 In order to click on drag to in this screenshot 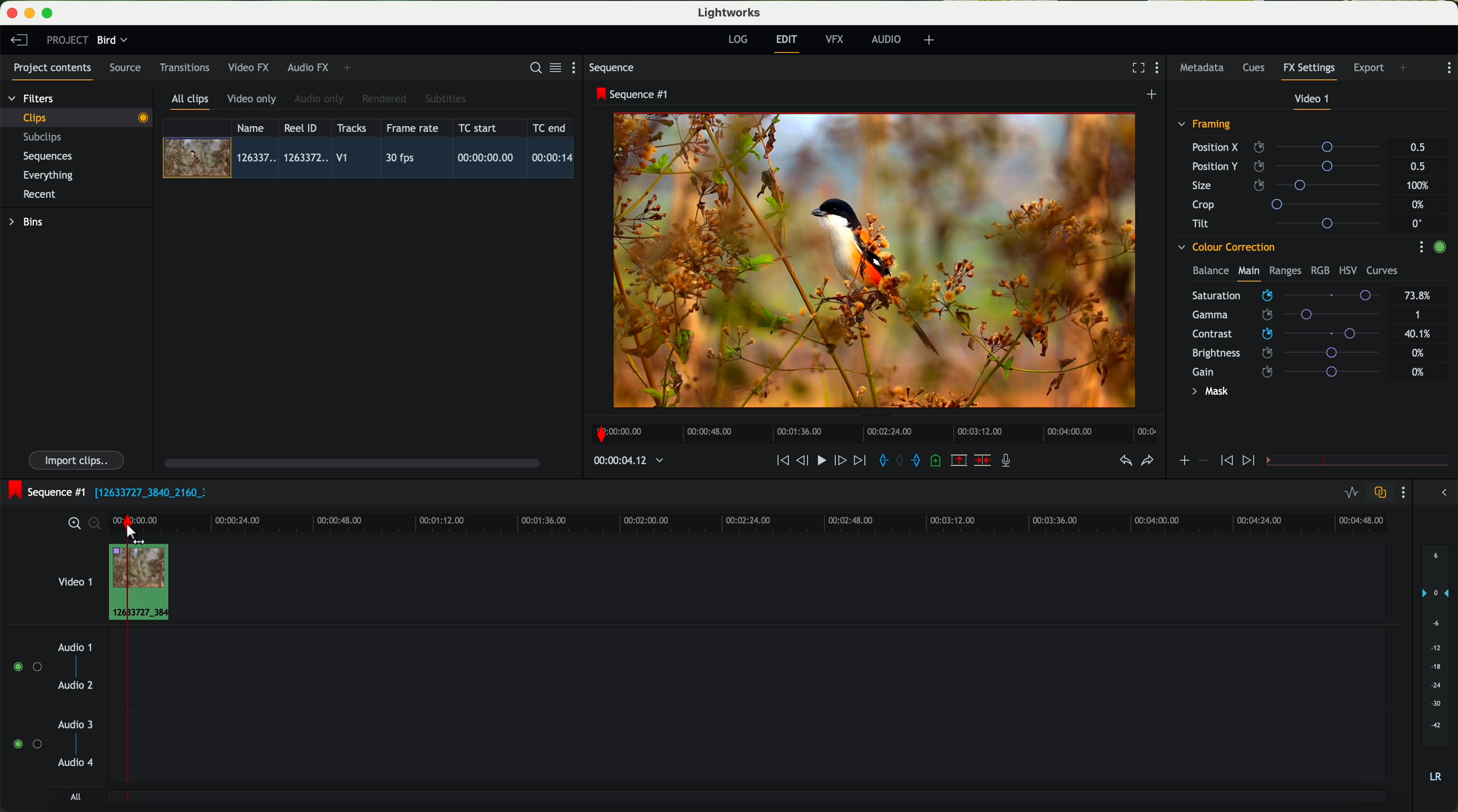, I will do `click(138, 535)`.